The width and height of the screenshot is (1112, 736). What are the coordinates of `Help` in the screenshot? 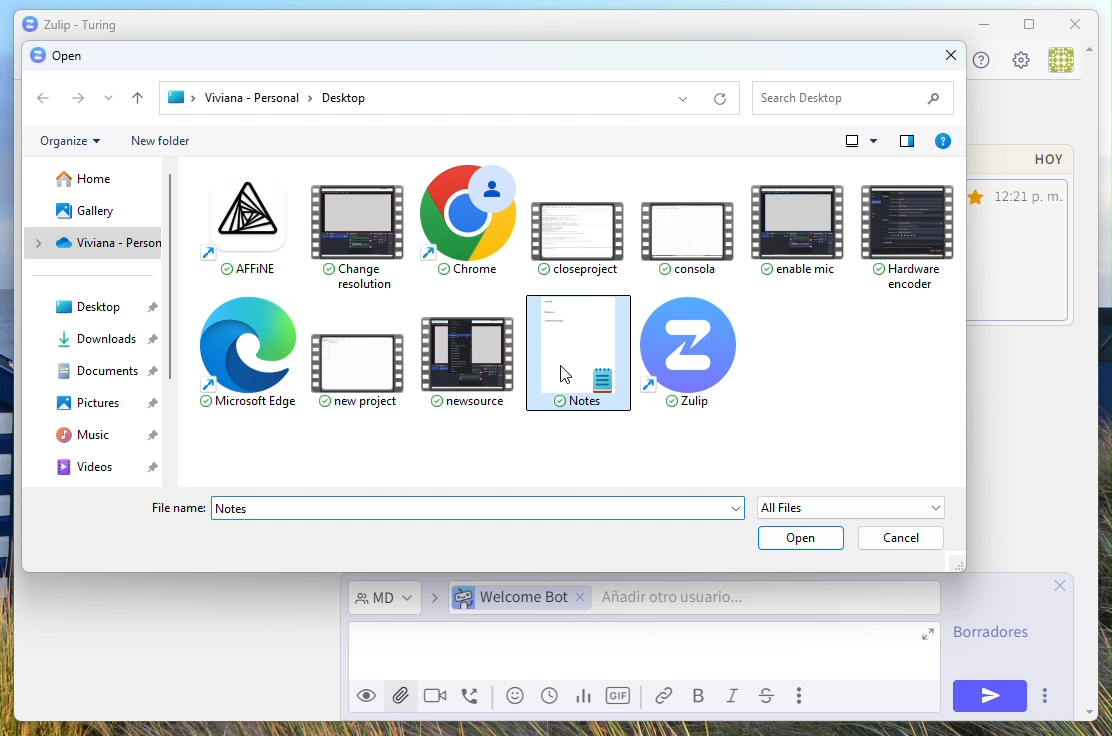 It's located at (907, 141).